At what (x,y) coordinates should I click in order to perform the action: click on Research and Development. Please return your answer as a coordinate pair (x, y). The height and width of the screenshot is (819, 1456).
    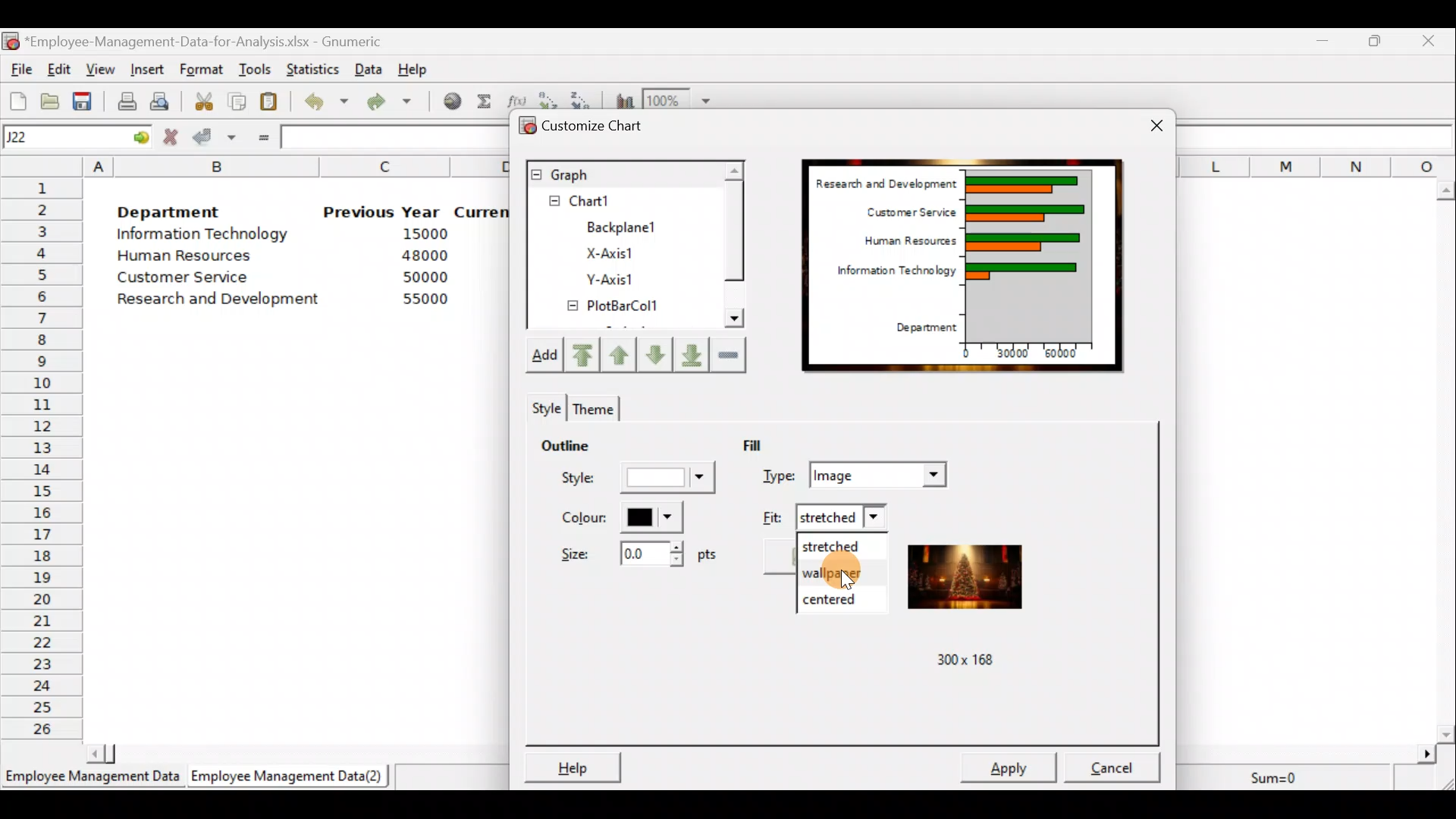
    Looking at the image, I should click on (883, 180).